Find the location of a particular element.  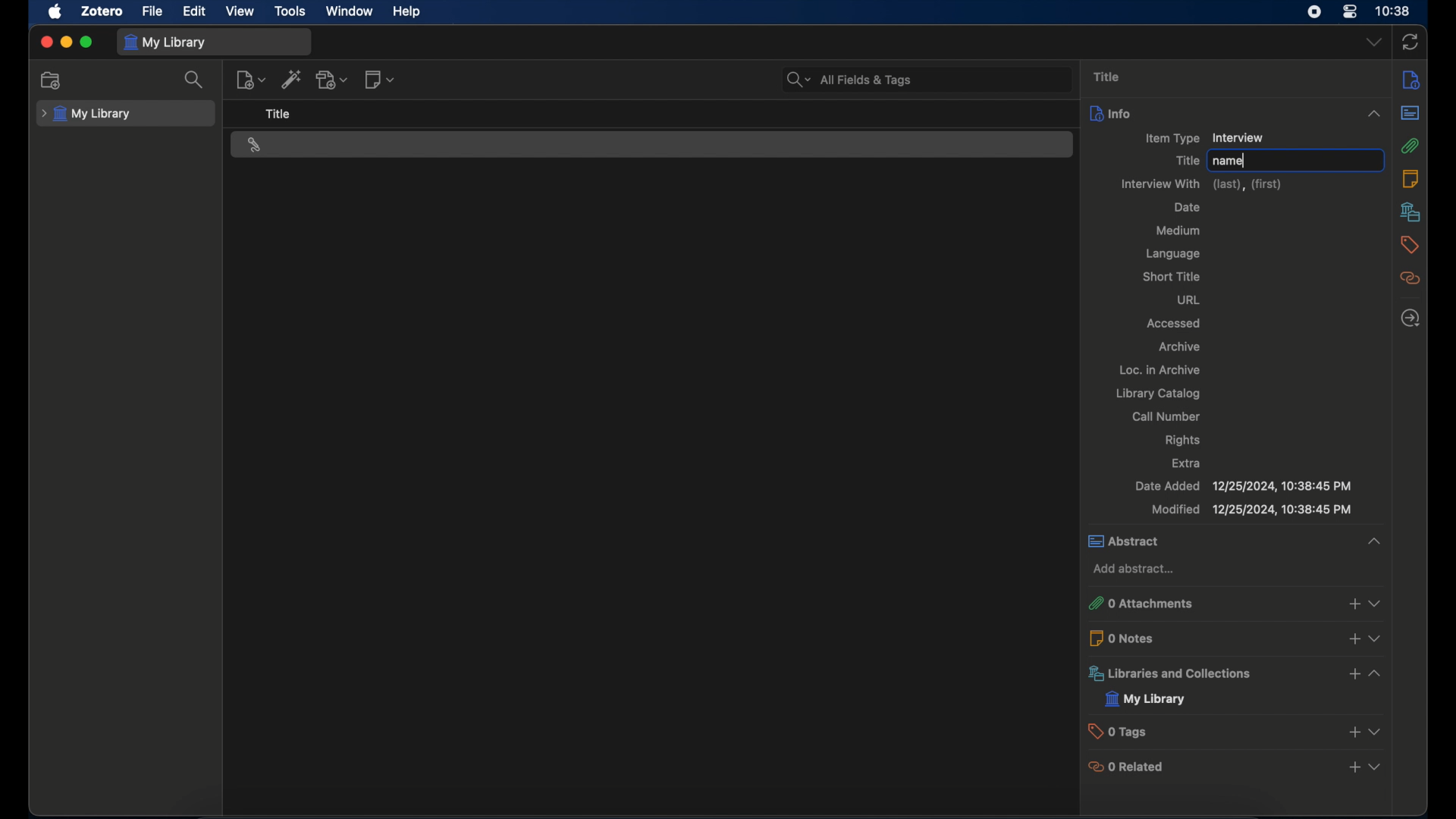

abstract is located at coordinates (1237, 542).